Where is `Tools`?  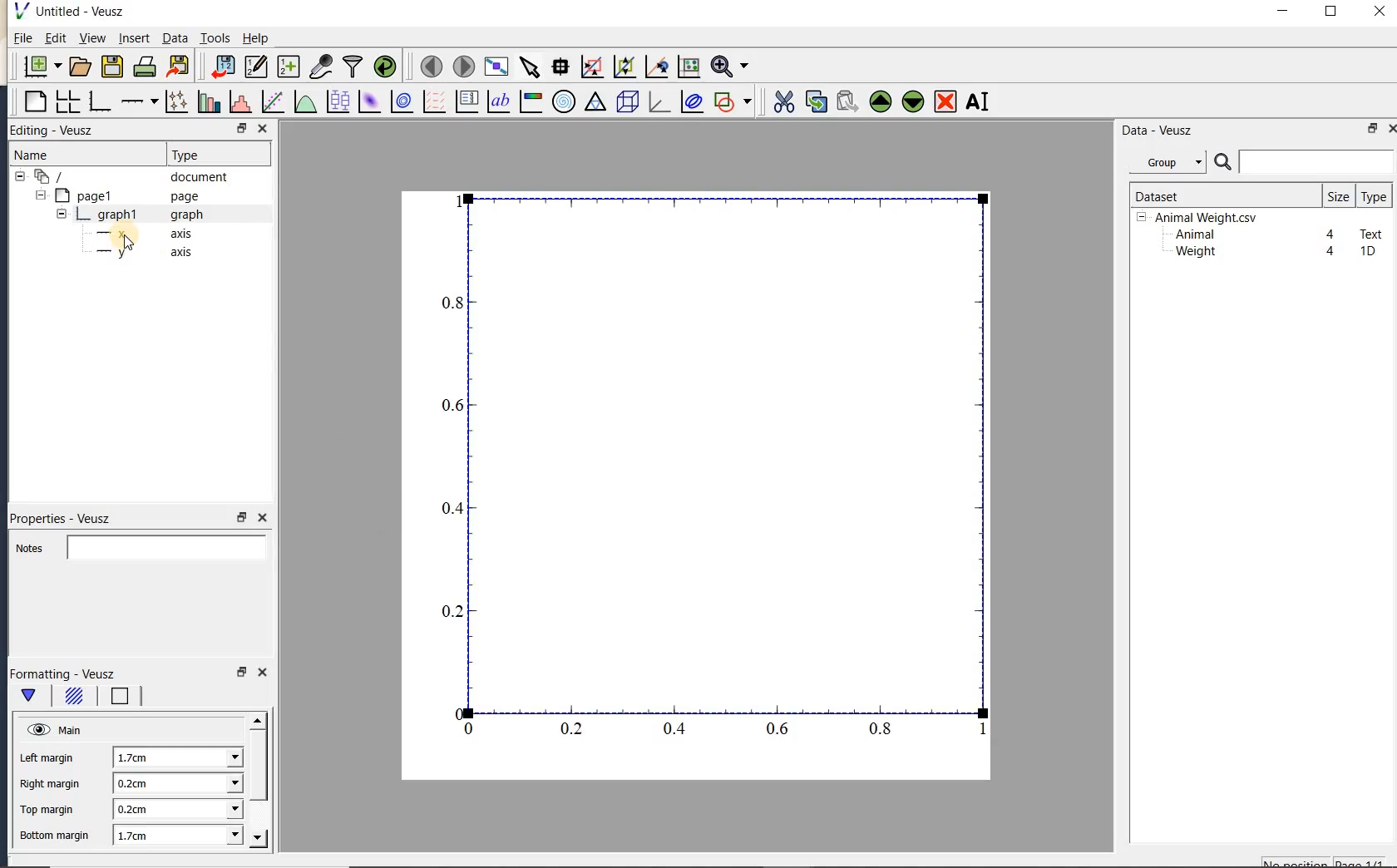 Tools is located at coordinates (216, 37).